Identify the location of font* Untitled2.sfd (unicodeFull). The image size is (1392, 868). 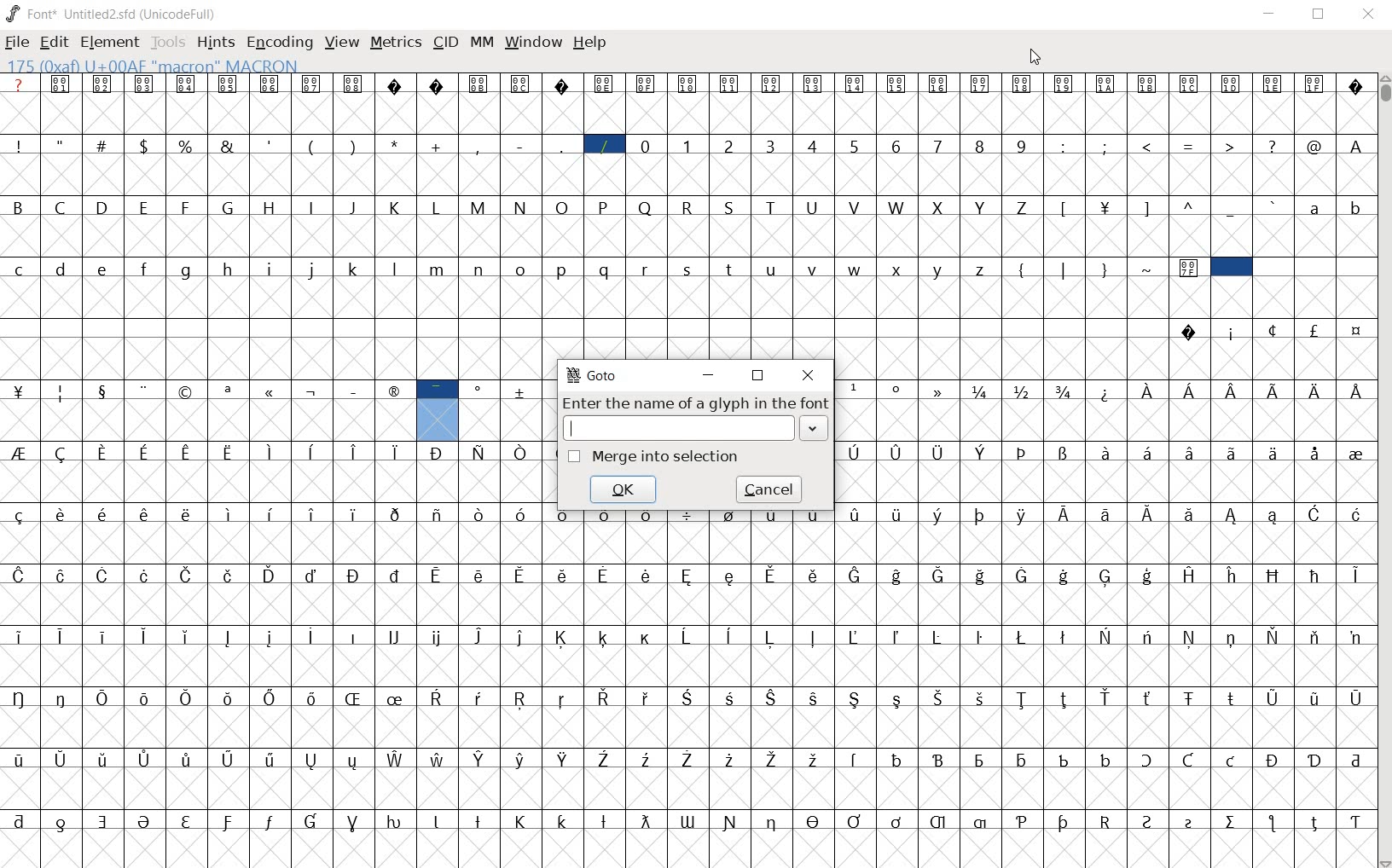
(110, 14).